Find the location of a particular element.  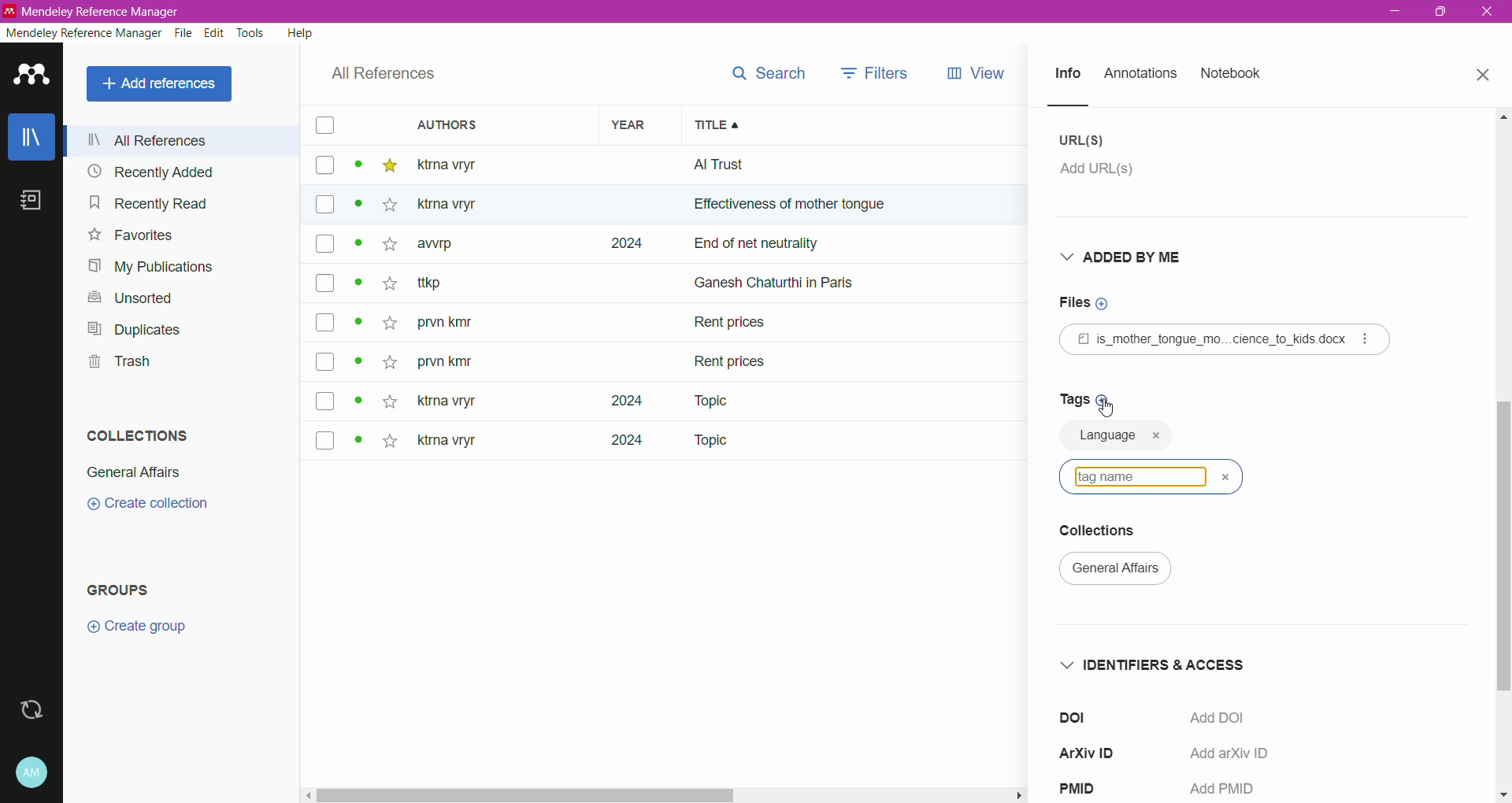

minimize is located at coordinates (1397, 13).